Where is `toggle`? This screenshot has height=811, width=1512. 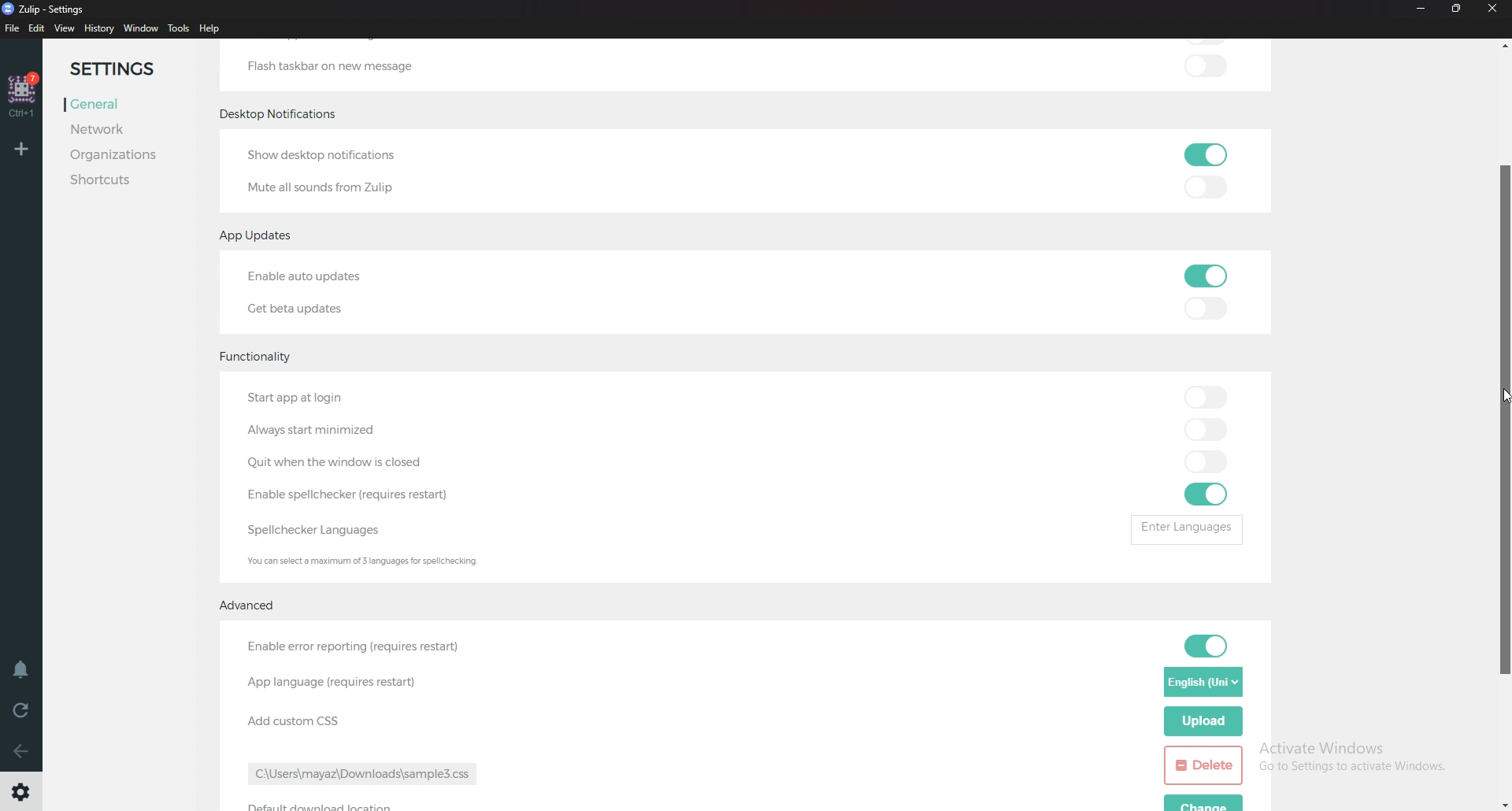
toggle is located at coordinates (1206, 430).